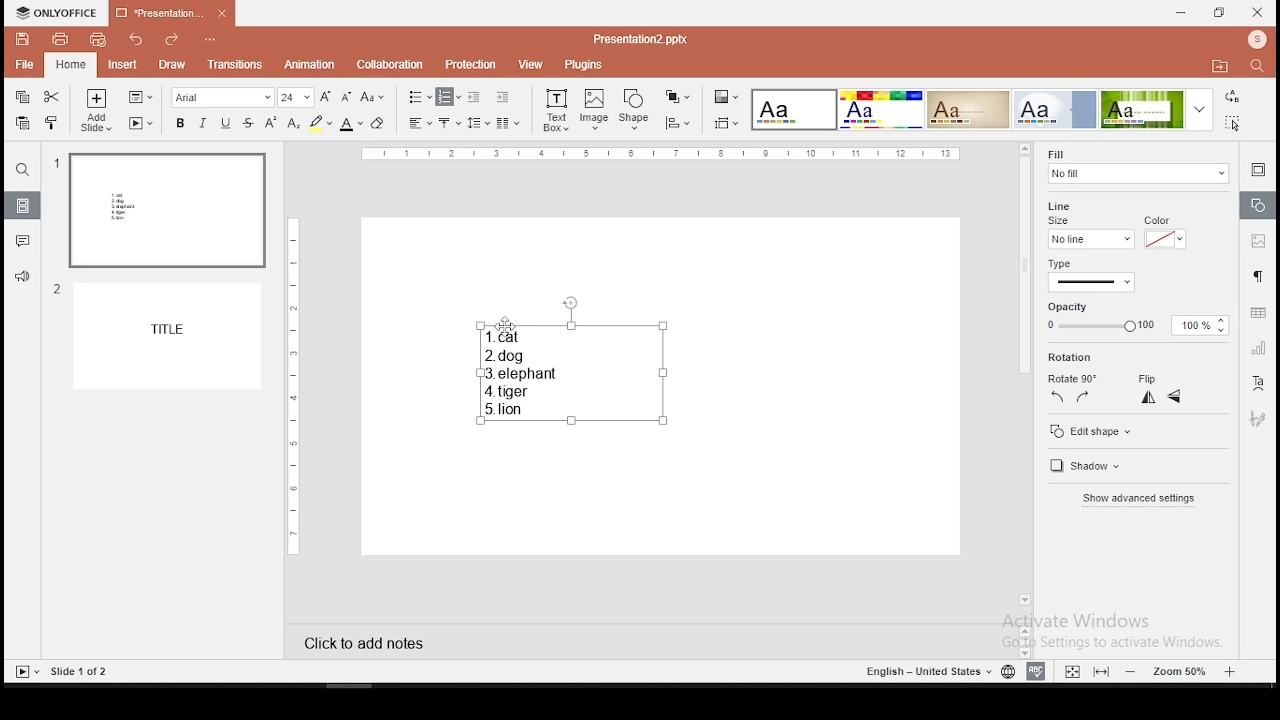 This screenshot has width=1280, height=720. What do you see at coordinates (571, 369) in the screenshot?
I see `text box` at bounding box center [571, 369].